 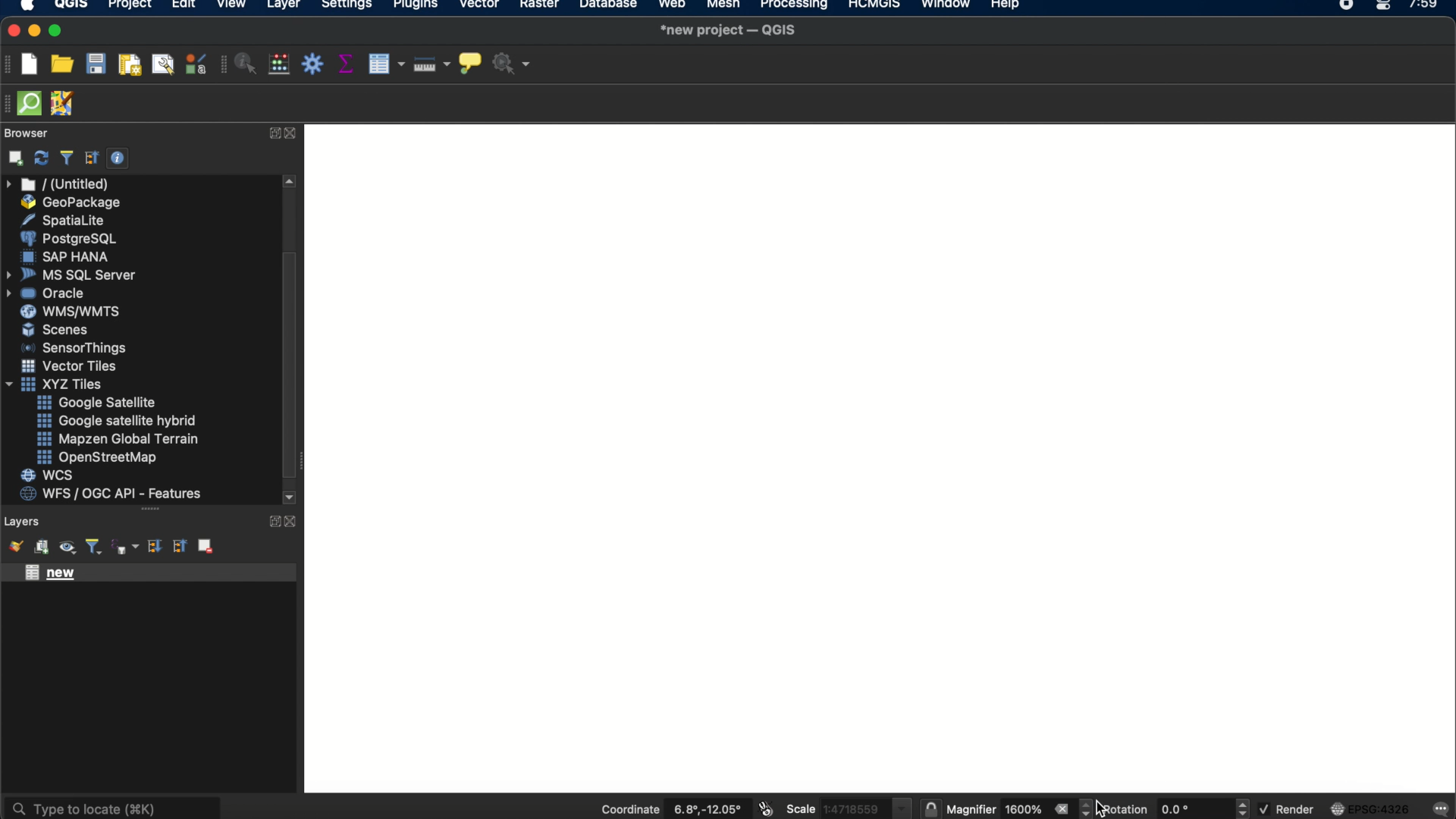 I want to click on expand, so click(x=271, y=133).